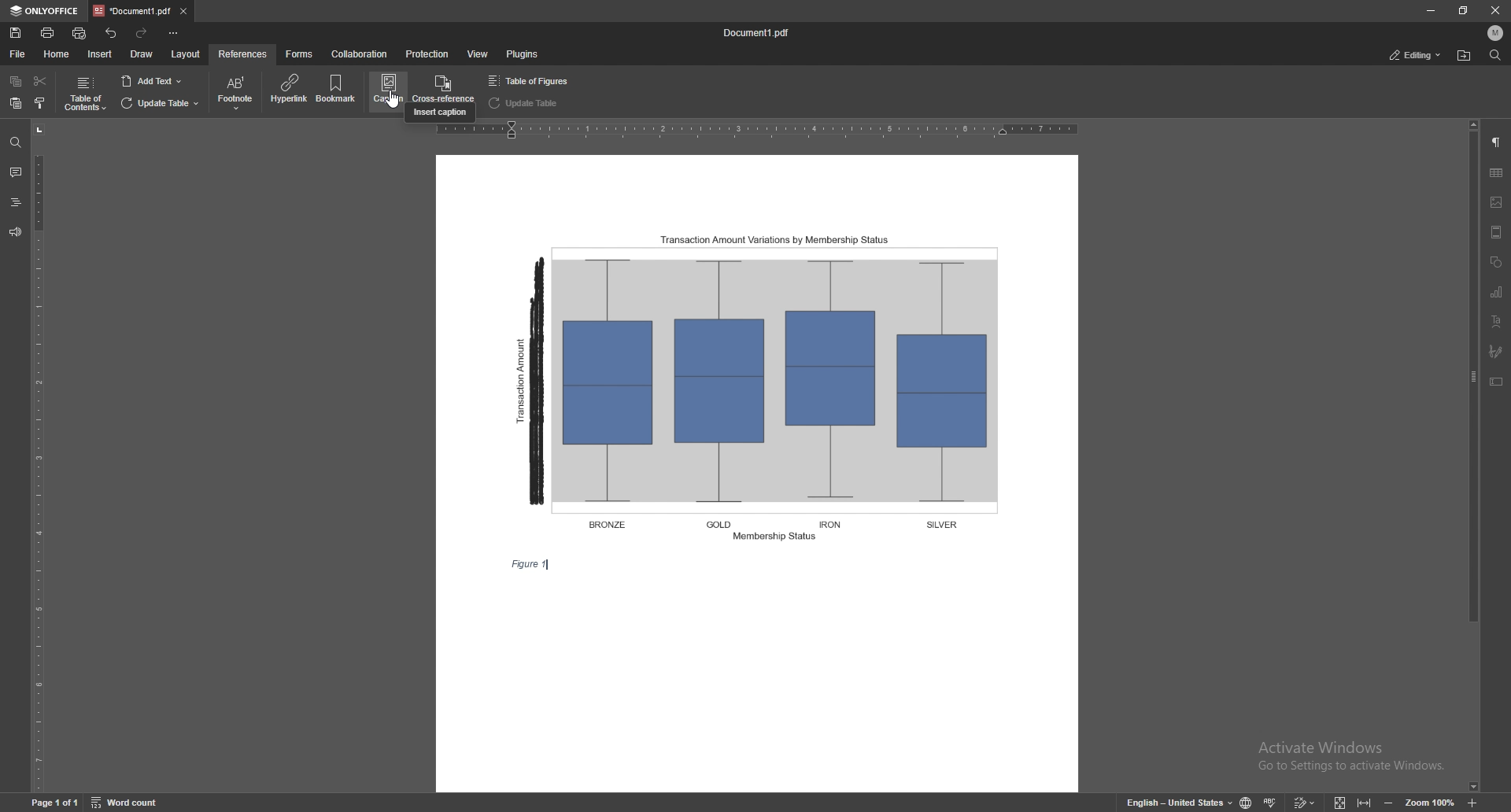 This screenshot has width=1511, height=812. What do you see at coordinates (19, 54) in the screenshot?
I see `file` at bounding box center [19, 54].